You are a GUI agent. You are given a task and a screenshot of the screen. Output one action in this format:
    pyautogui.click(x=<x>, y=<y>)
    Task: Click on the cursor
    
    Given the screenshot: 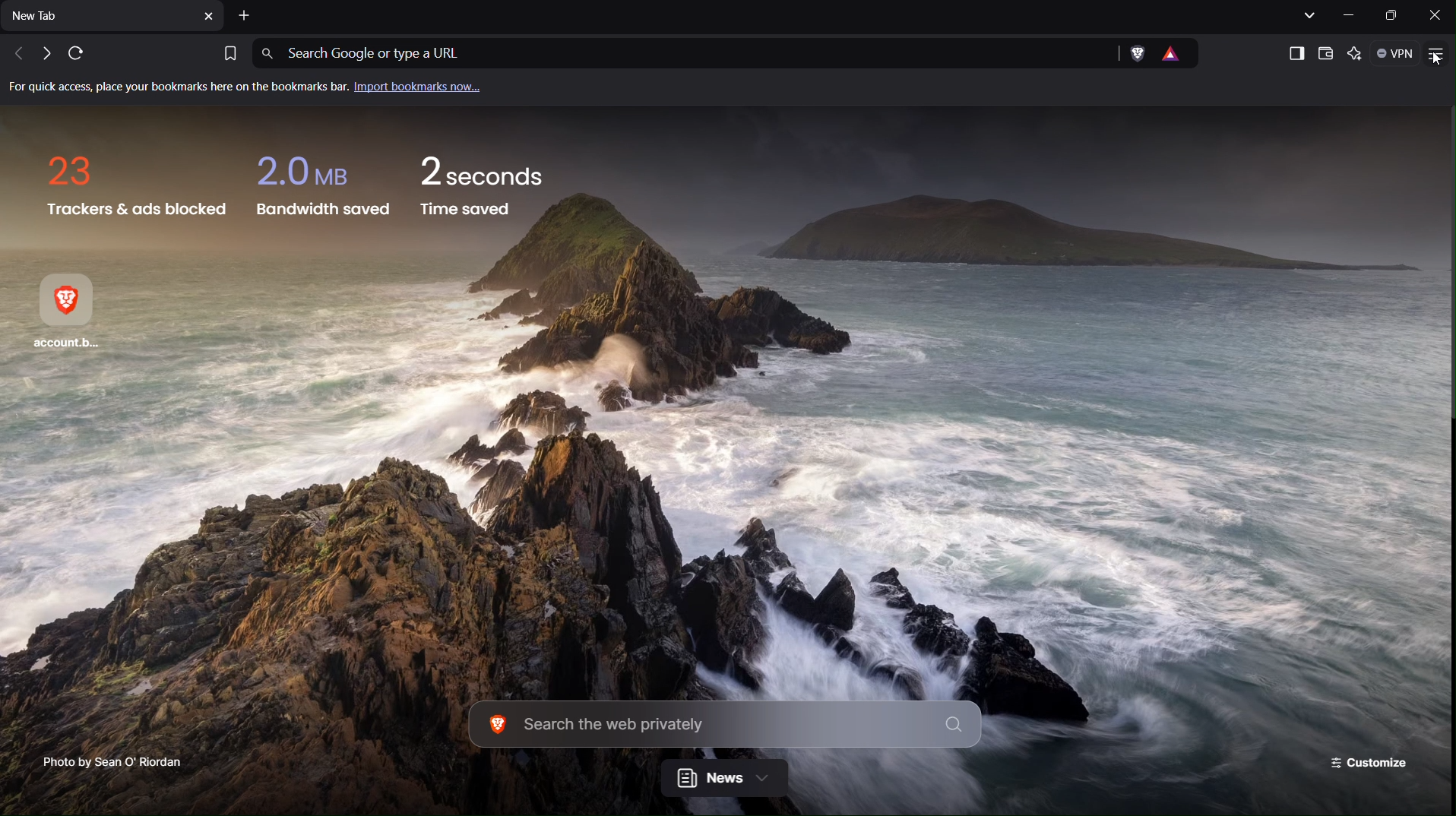 What is the action you would take?
    pyautogui.click(x=1442, y=59)
    